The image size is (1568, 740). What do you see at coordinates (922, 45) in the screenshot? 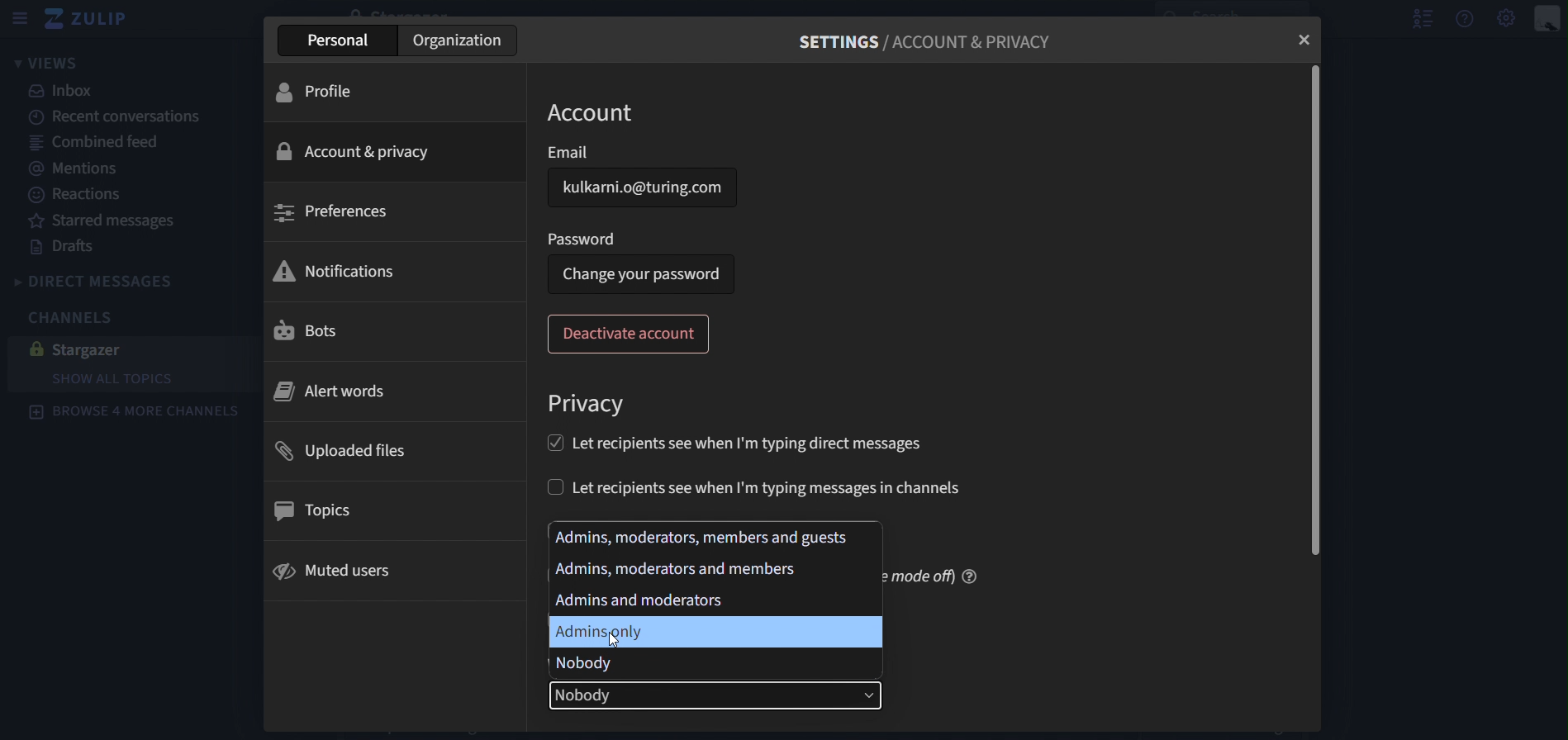
I see `settings/account and privacy` at bounding box center [922, 45].